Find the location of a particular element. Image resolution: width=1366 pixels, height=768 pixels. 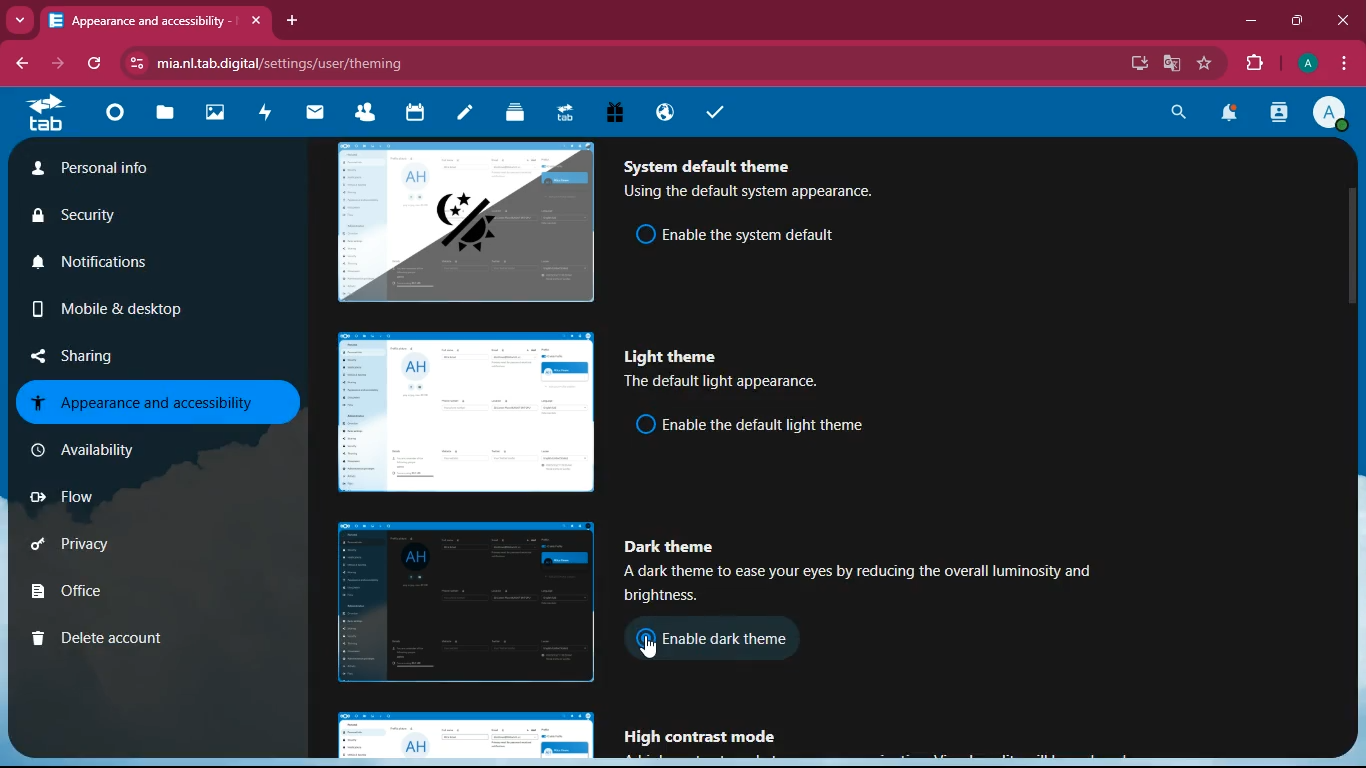

description is located at coordinates (725, 383).